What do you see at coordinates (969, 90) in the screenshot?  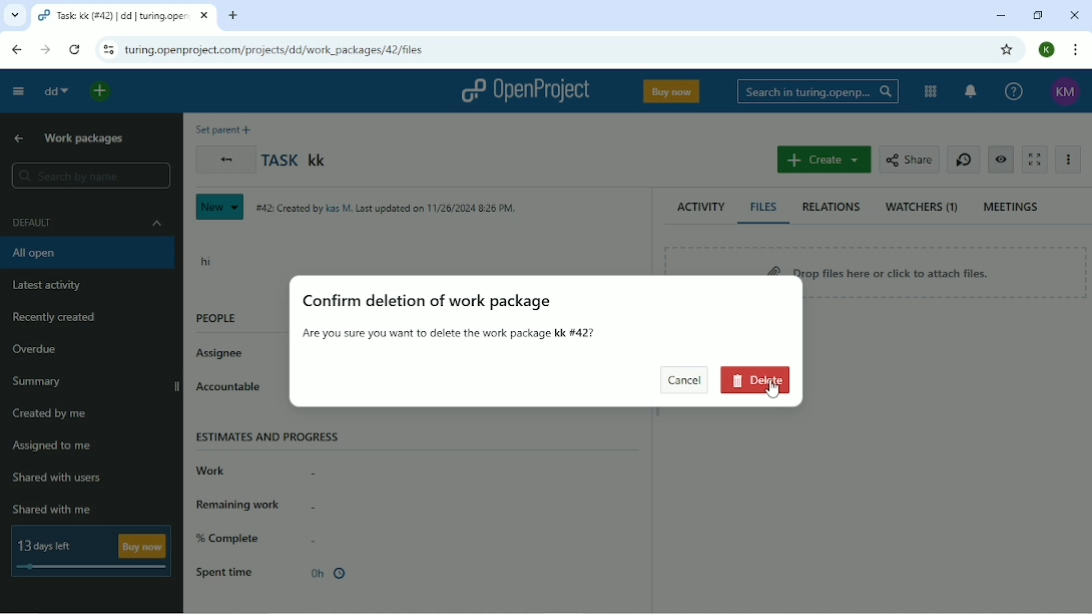 I see `To notification center` at bounding box center [969, 90].